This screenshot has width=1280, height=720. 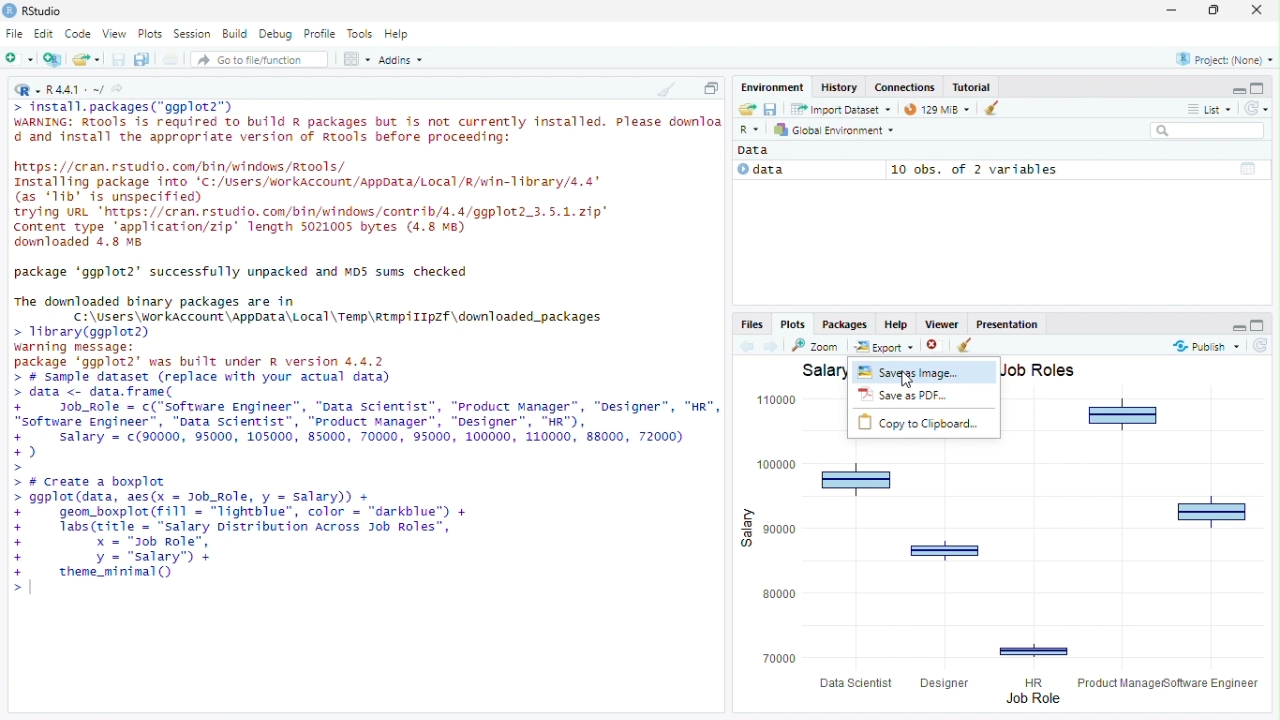 What do you see at coordinates (664, 89) in the screenshot?
I see `Clear console` at bounding box center [664, 89].